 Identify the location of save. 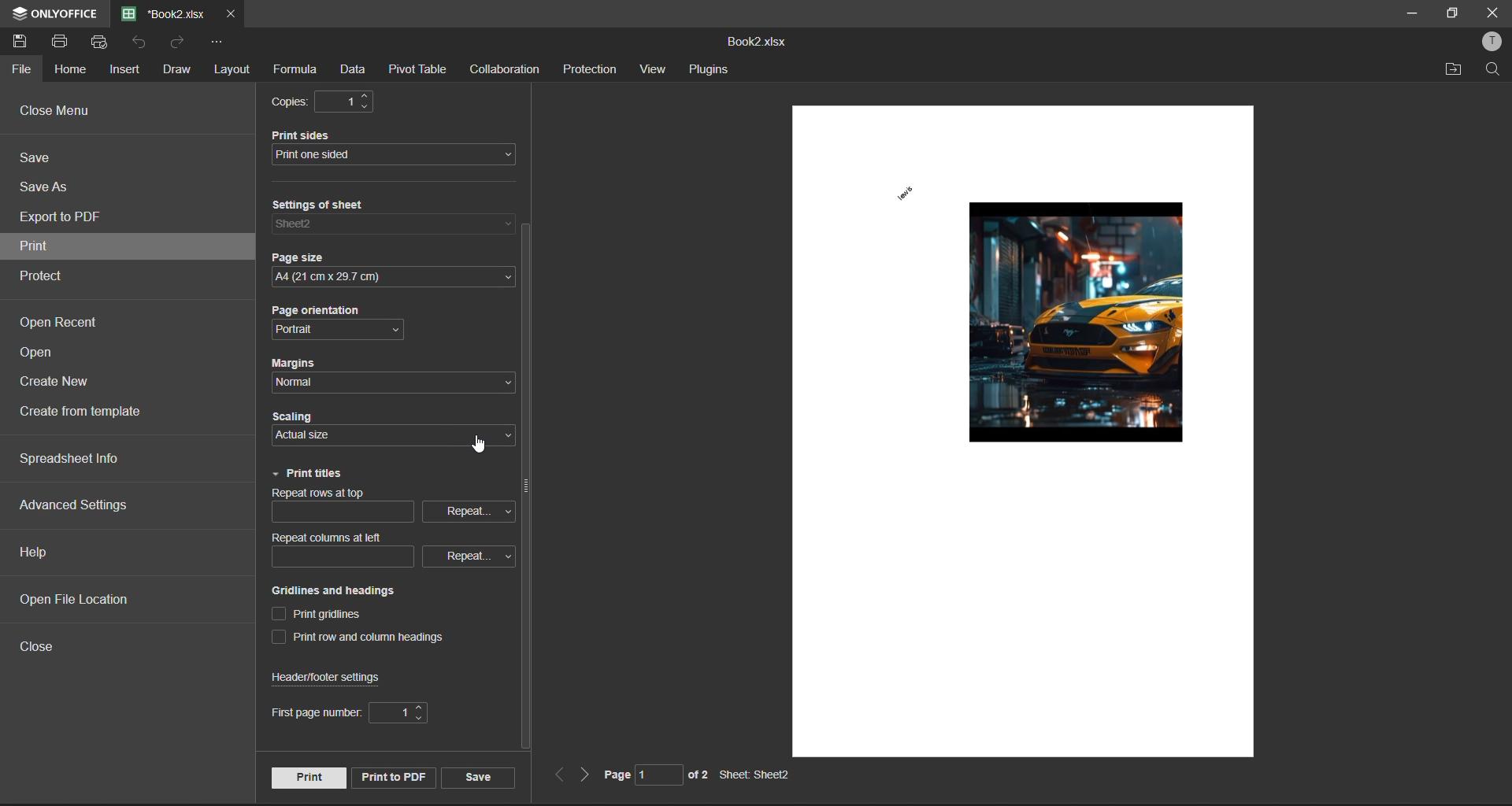
(25, 44).